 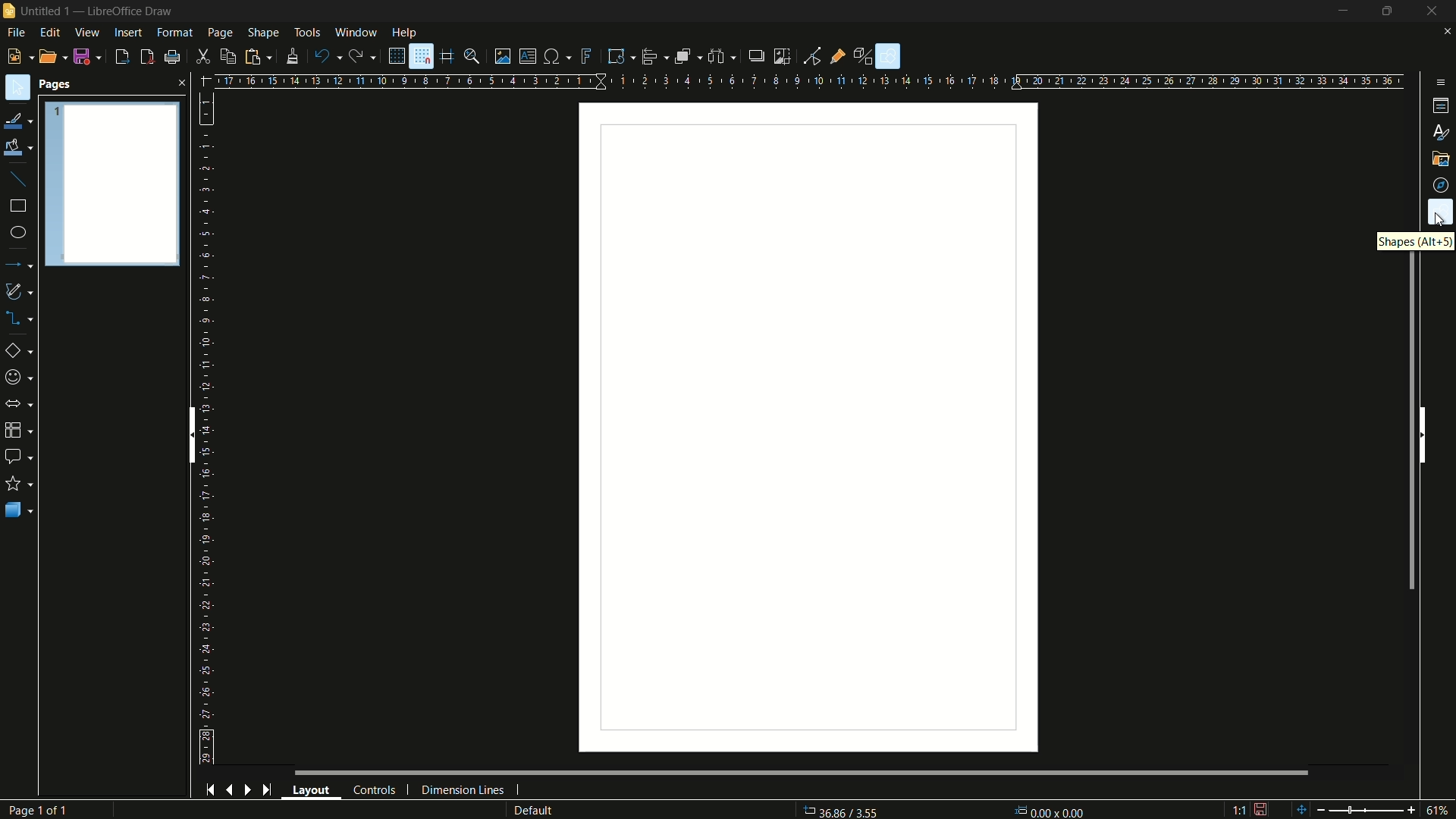 What do you see at coordinates (1442, 219) in the screenshot?
I see `Cursor` at bounding box center [1442, 219].